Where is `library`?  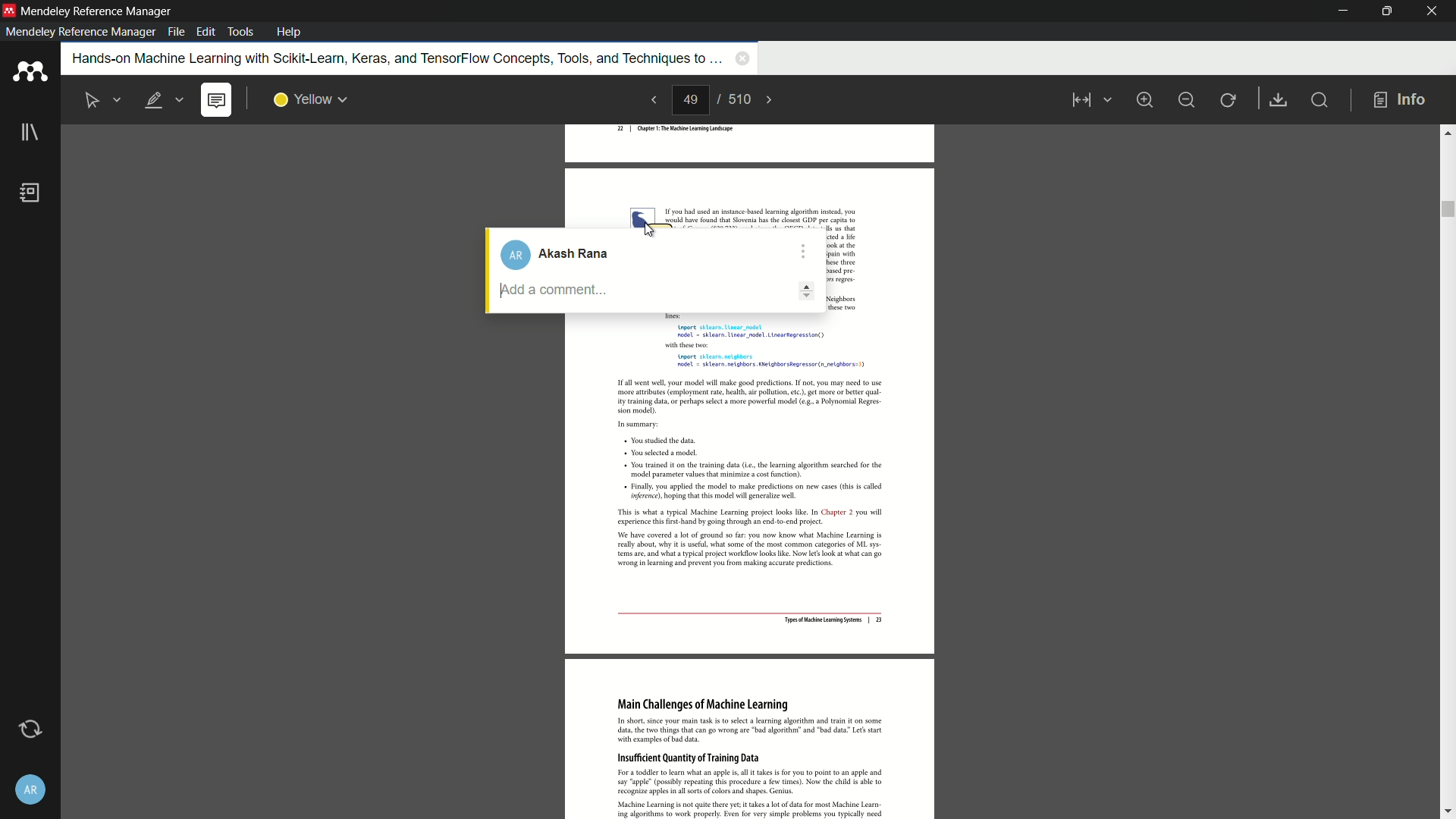
library is located at coordinates (29, 134).